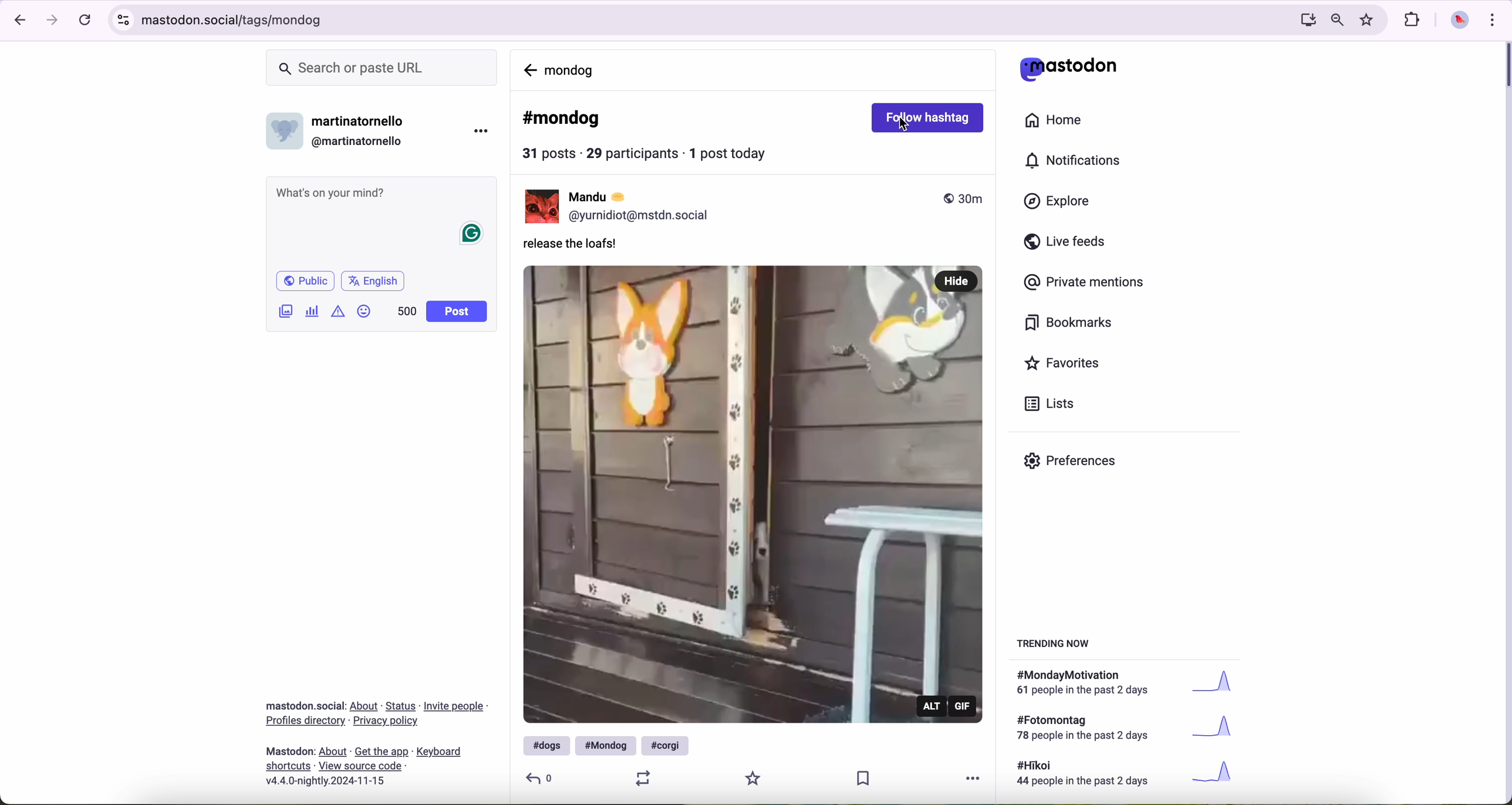 This screenshot has width=1512, height=805. I want to click on bookmarks, so click(1069, 323).